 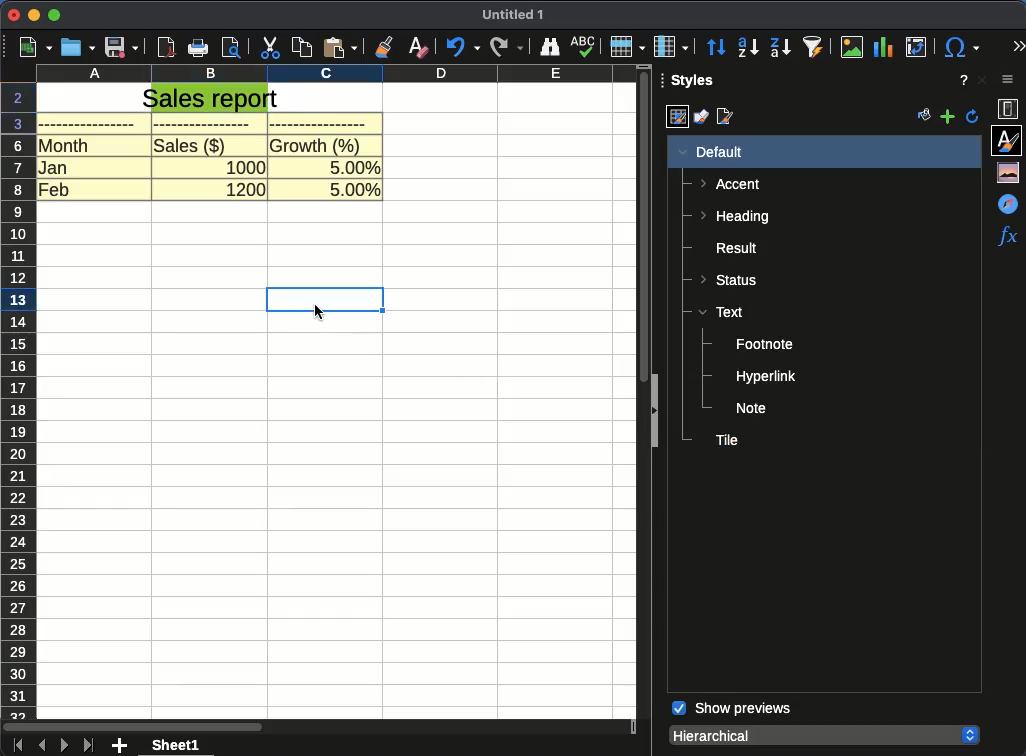 What do you see at coordinates (338, 75) in the screenshot?
I see `column` at bounding box center [338, 75].